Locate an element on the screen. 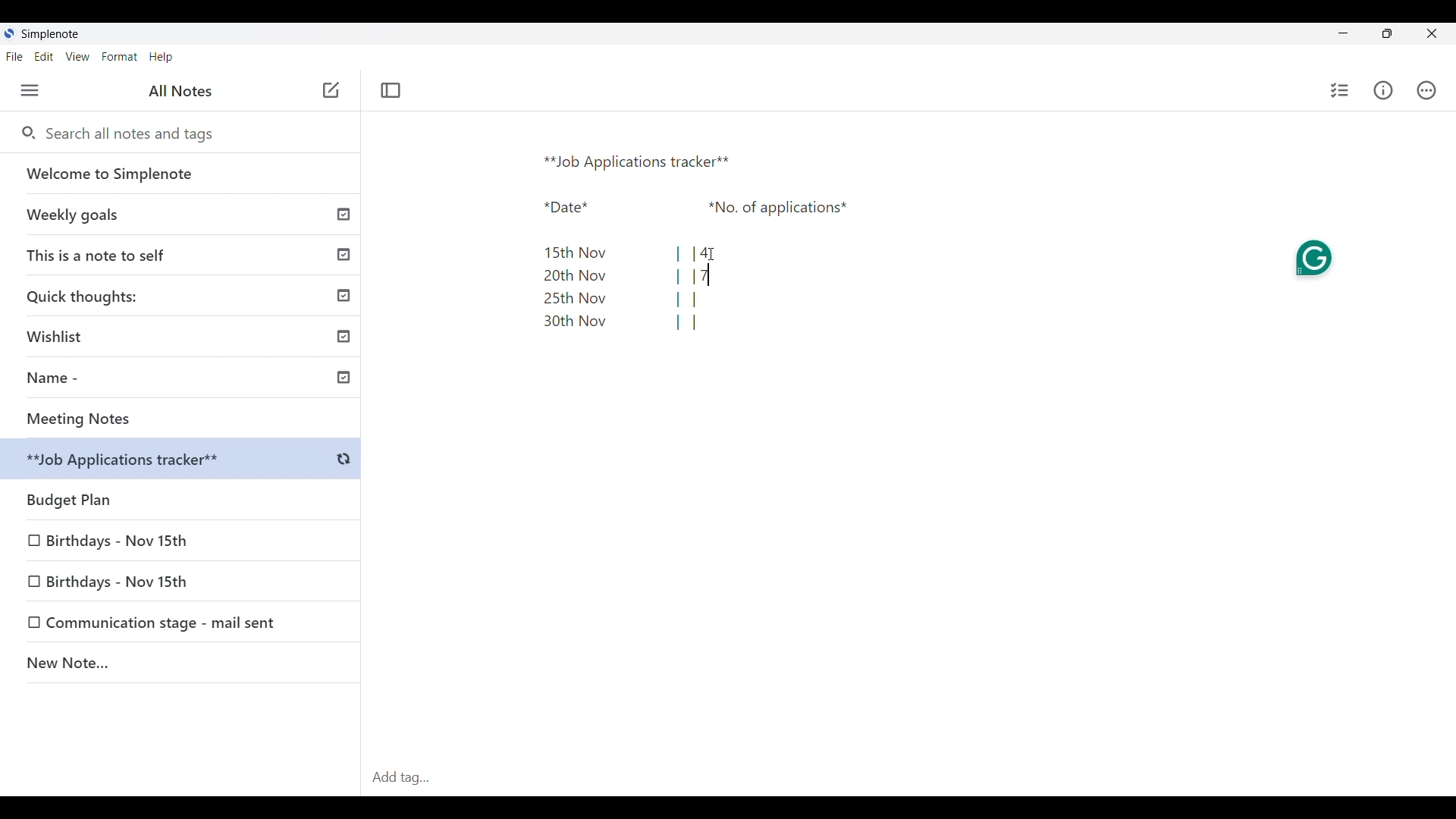  Search all notes and tags is located at coordinates (135, 133).